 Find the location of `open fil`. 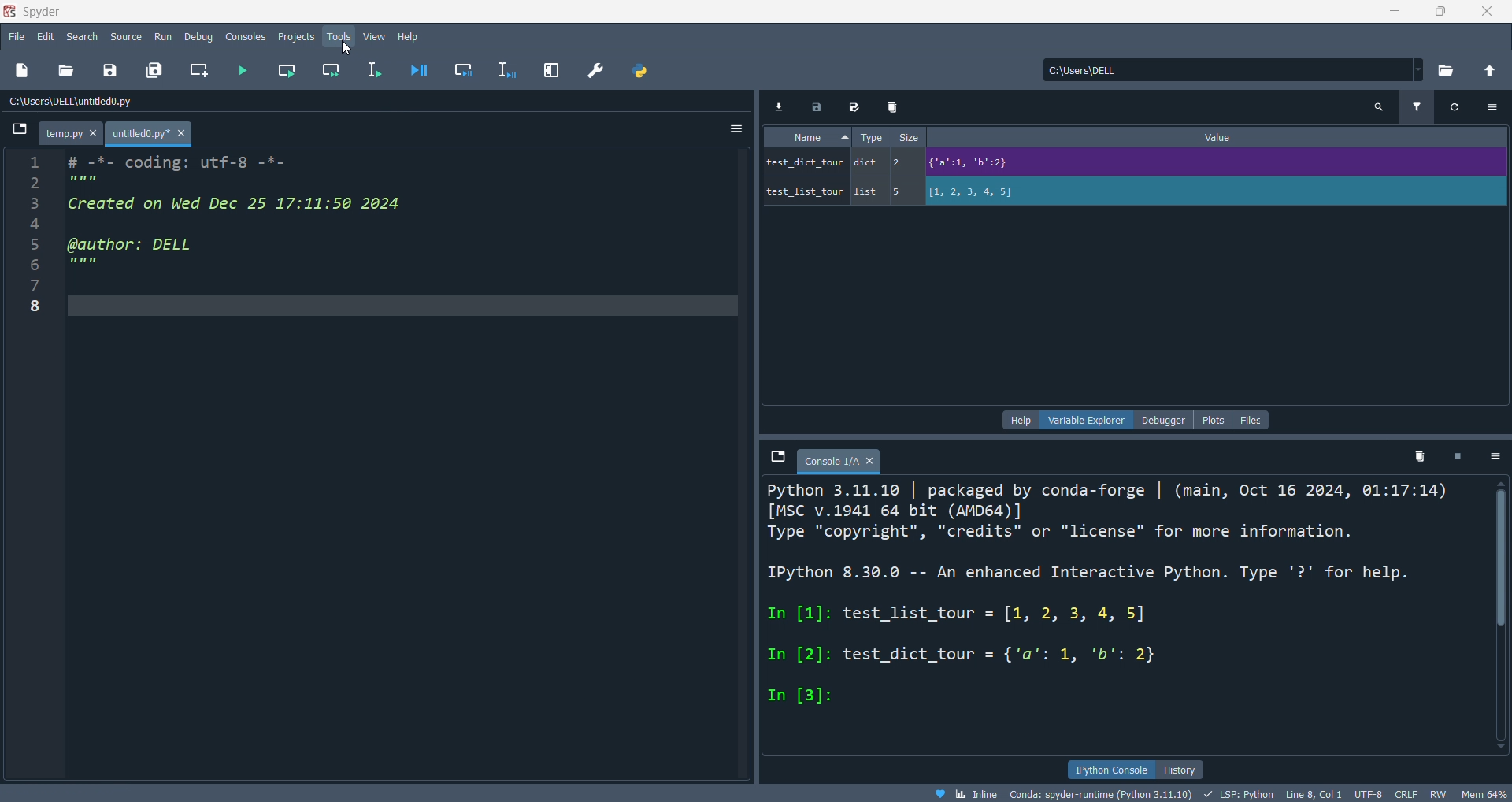

open fil is located at coordinates (70, 71).